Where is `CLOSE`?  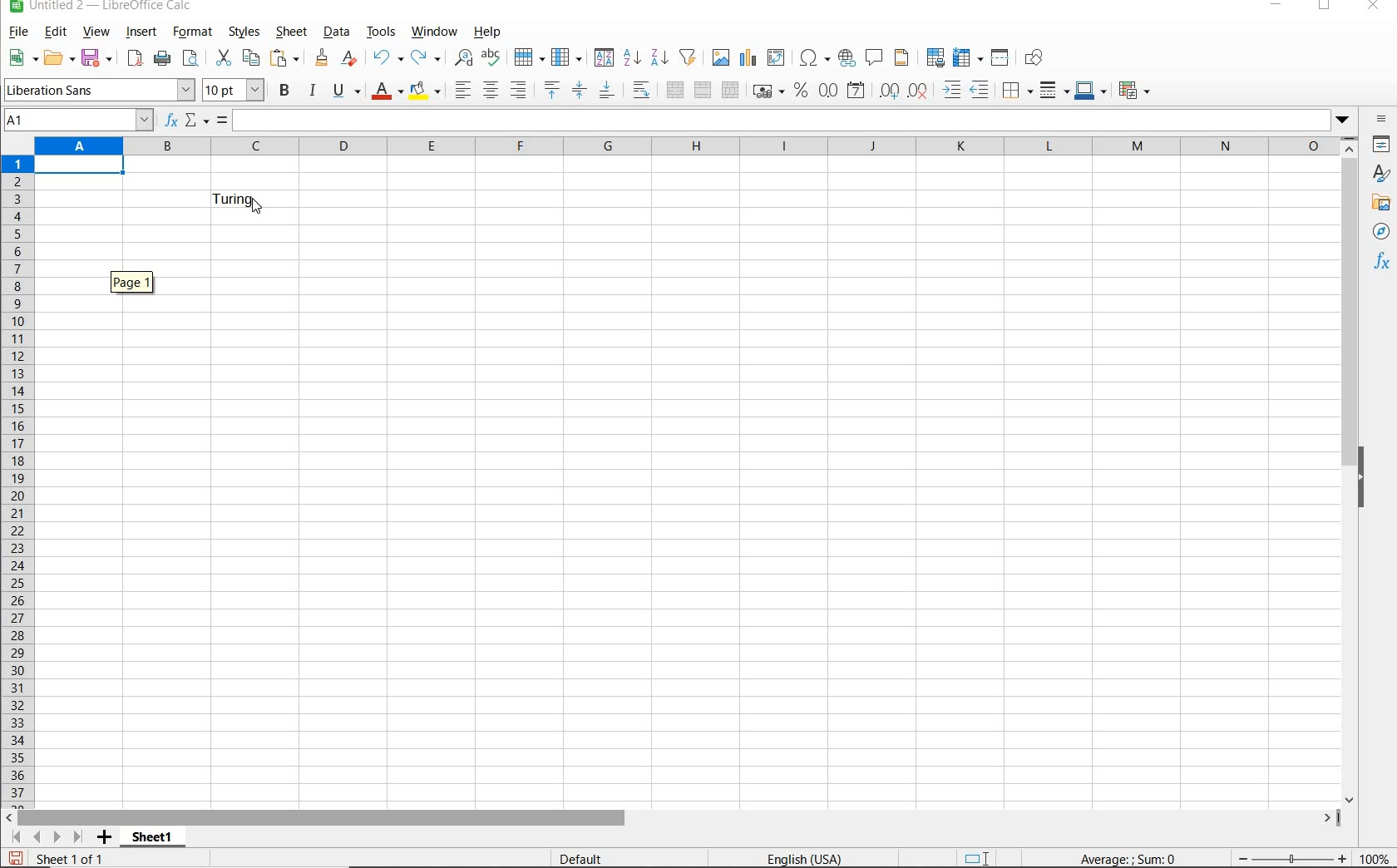
CLOSE is located at coordinates (1374, 8).